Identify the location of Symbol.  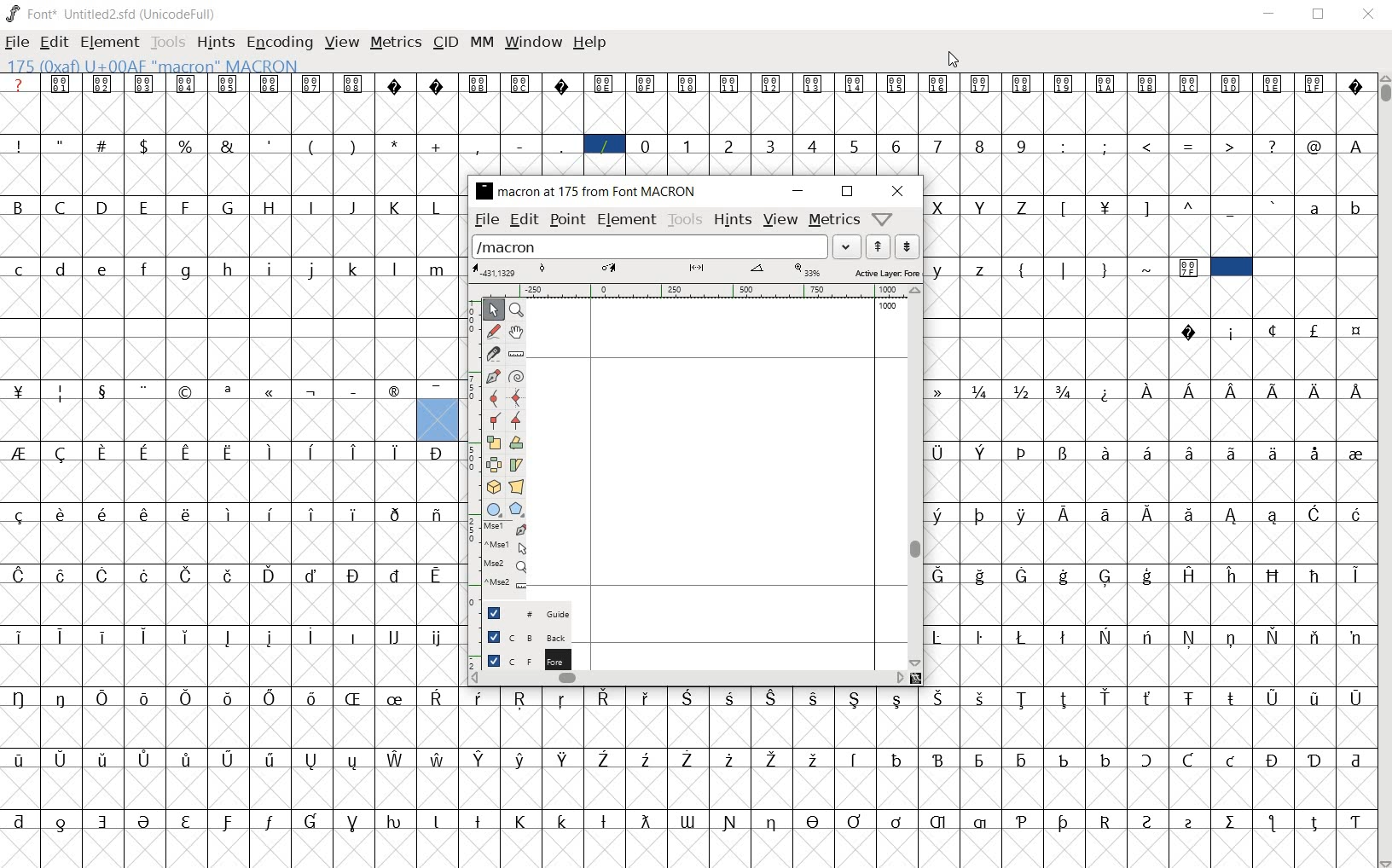
(1150, 698).